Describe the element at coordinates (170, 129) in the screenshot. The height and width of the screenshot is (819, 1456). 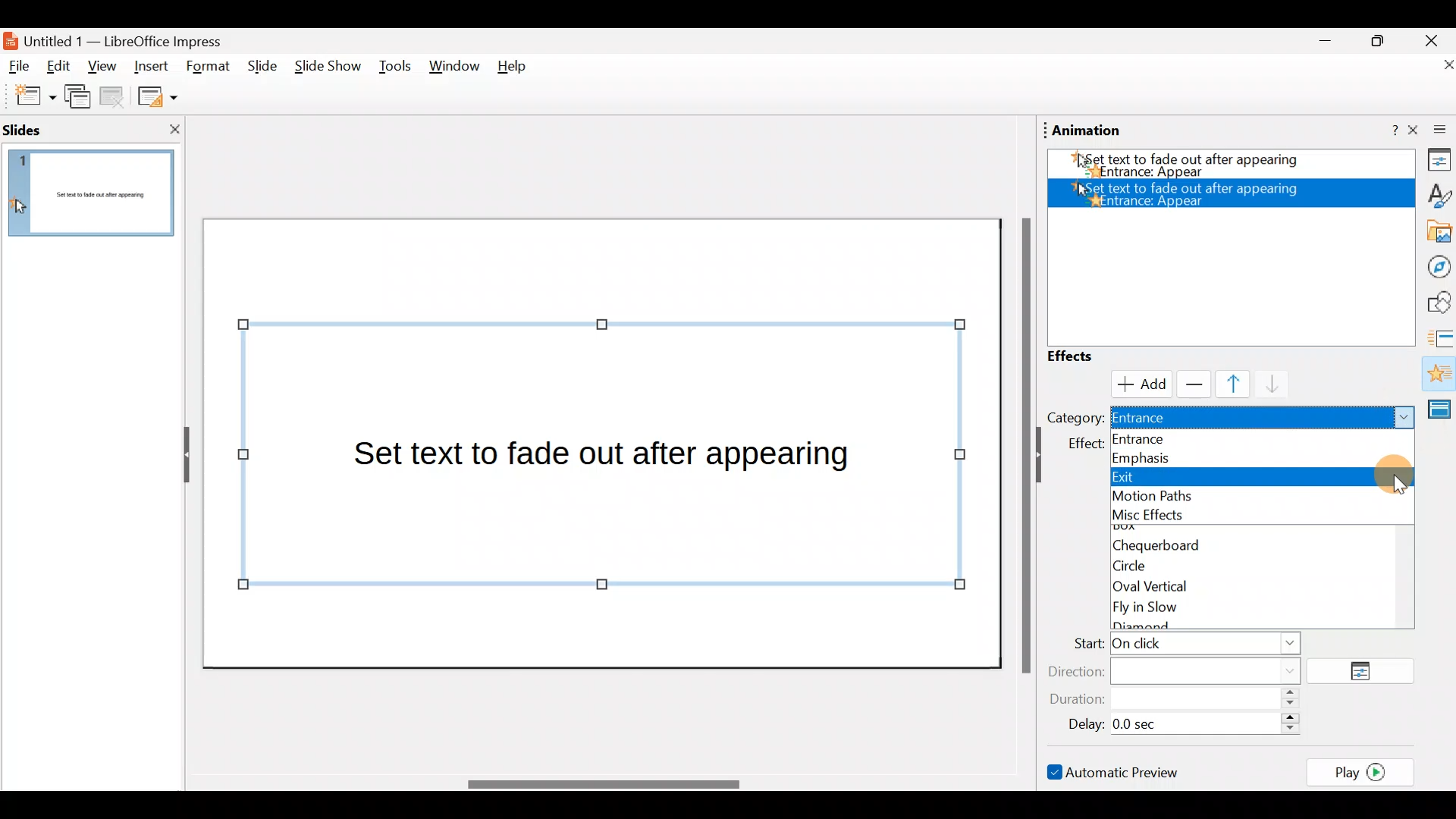
I see `Close slide pane` at that location.